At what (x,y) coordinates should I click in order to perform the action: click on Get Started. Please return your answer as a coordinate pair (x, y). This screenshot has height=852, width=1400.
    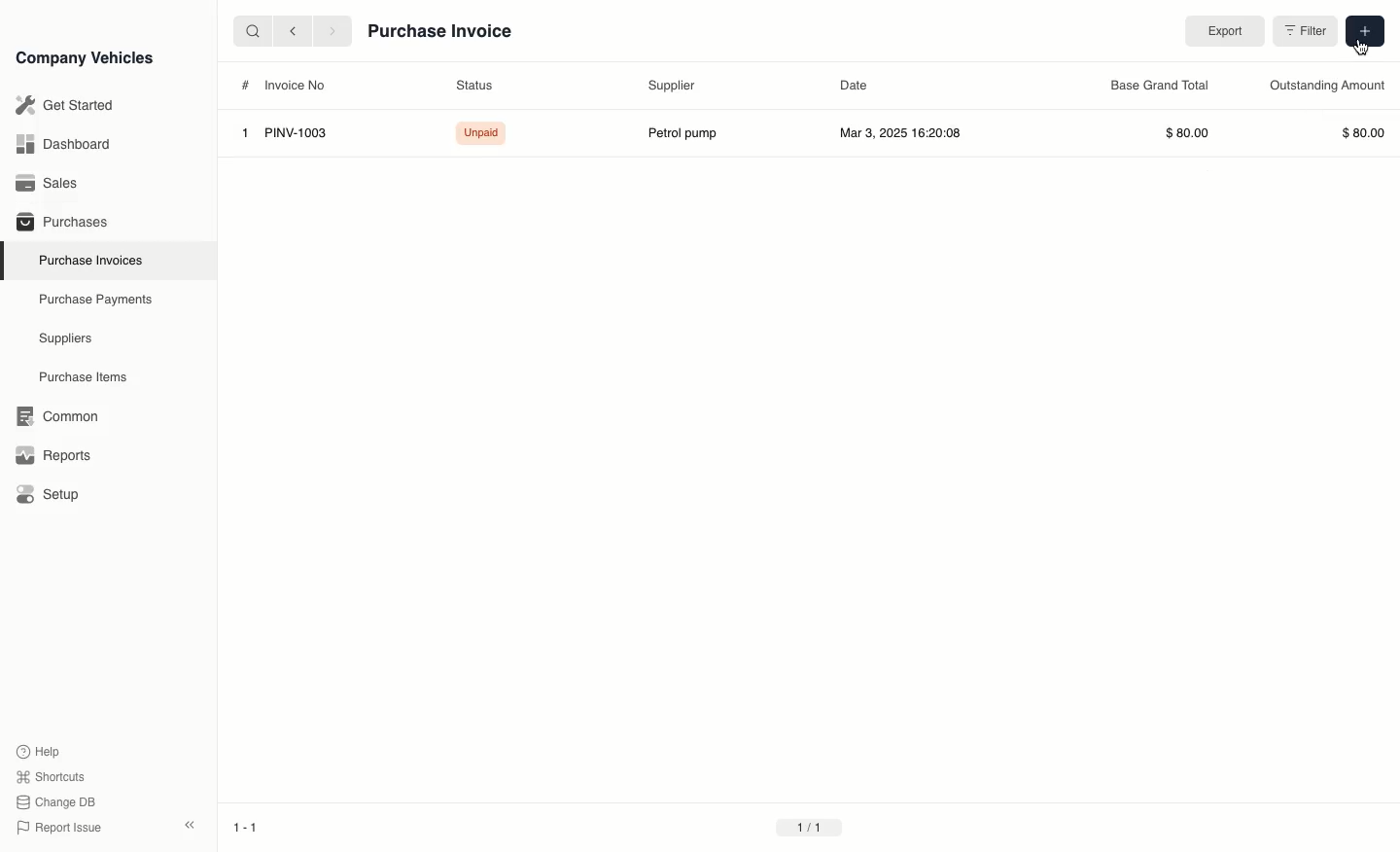
    Looking at the image, I should click on (61, 105).